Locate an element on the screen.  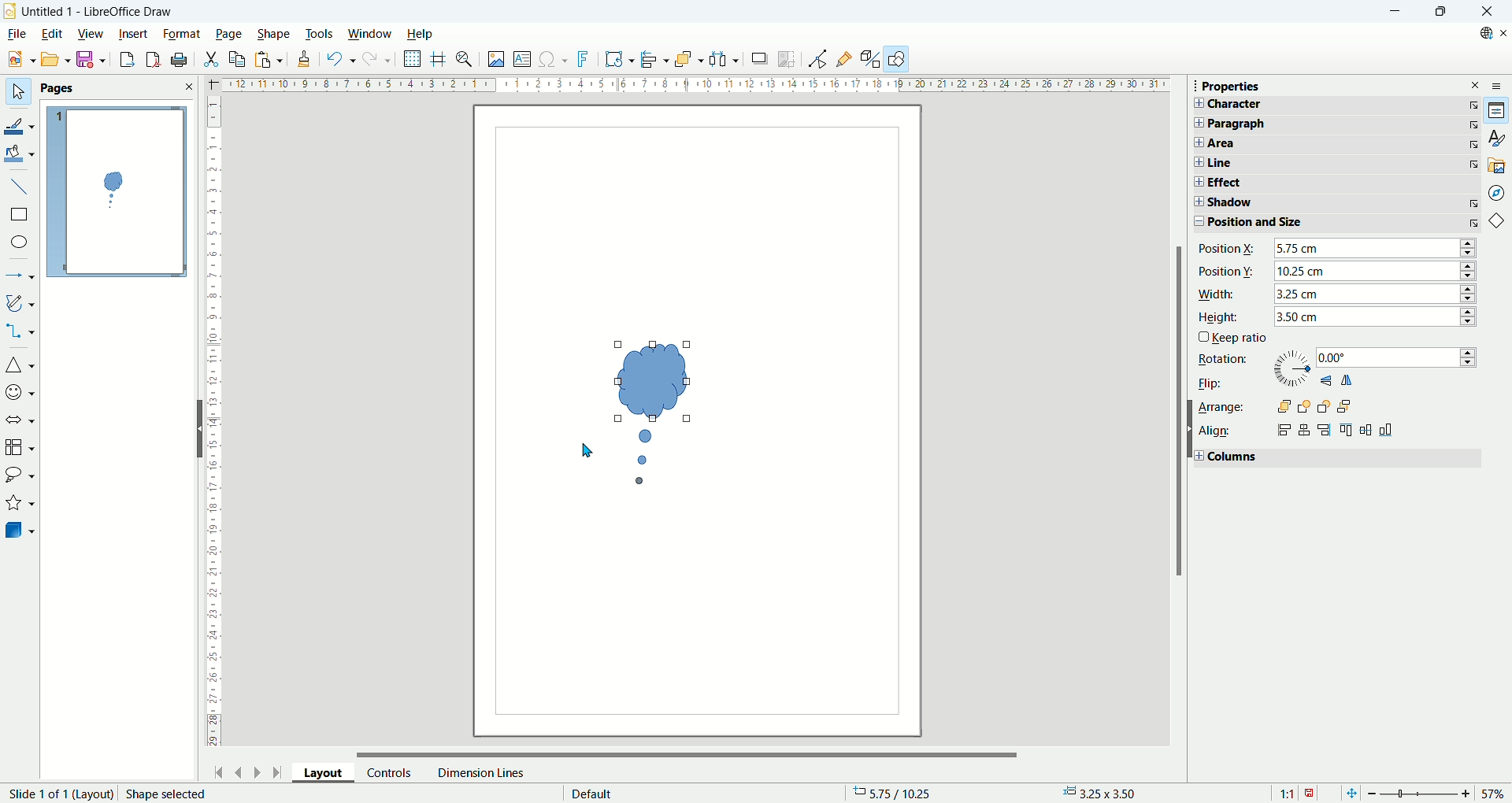
insert image is located at coordinates (495, 61).